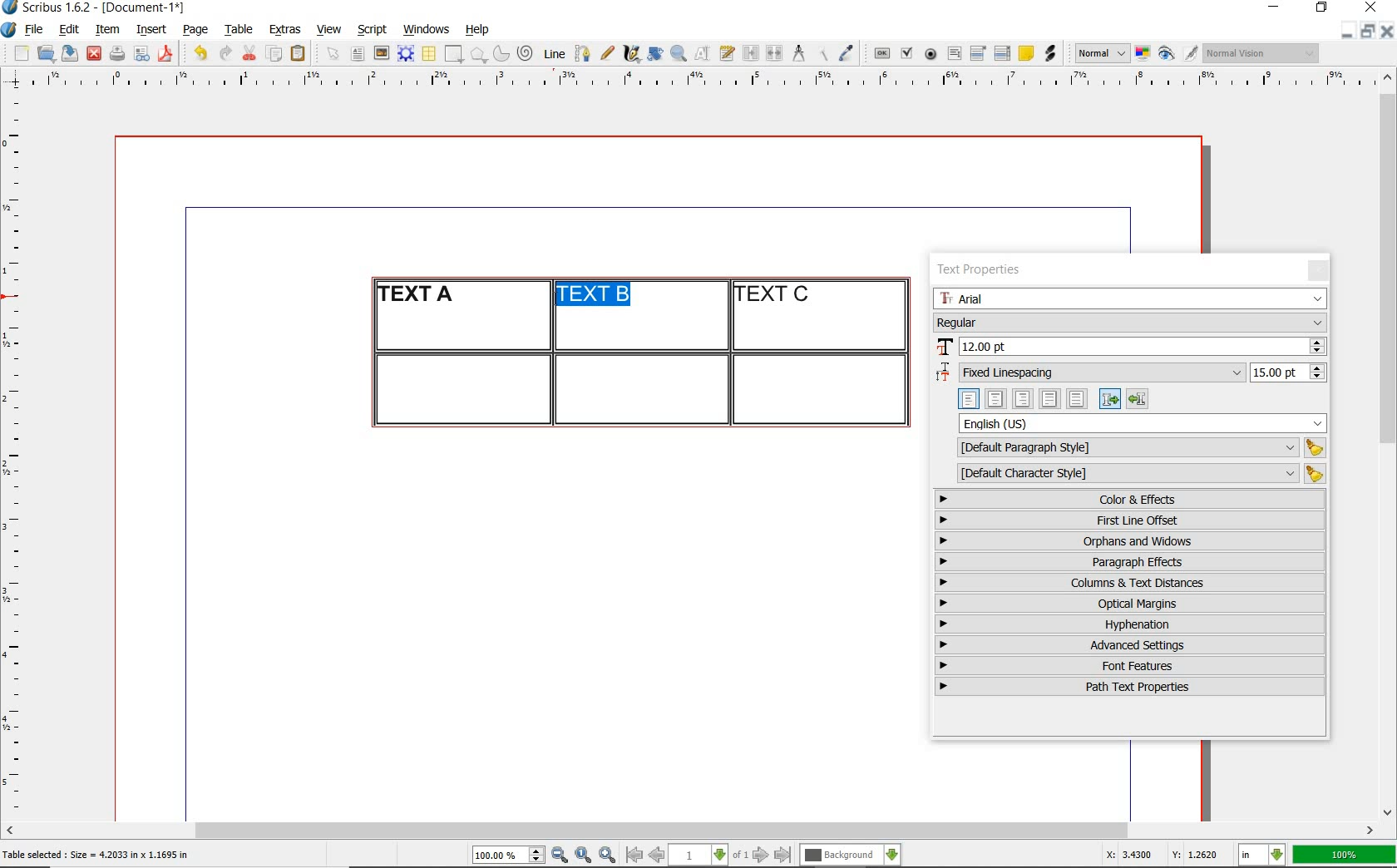 The image size is (1397, 868). Describe the element at coordinates (608, 856) in the screenshot. I see `zoom in` at that location.